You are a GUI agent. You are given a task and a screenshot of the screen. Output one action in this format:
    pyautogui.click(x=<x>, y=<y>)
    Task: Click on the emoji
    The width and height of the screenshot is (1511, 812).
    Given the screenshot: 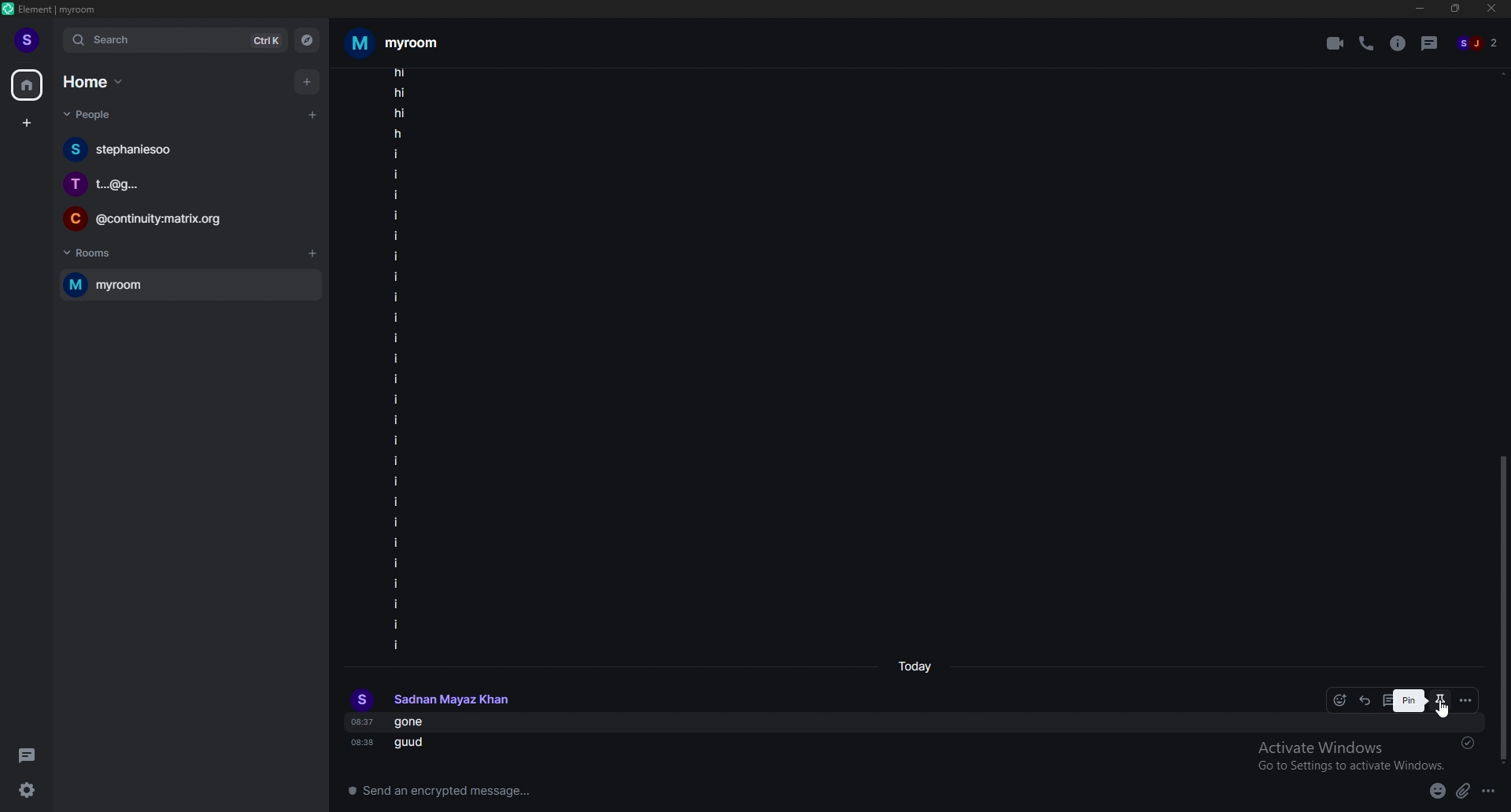 What is the action you would take?
    pyautogui.click(x=1438, y=792)
    